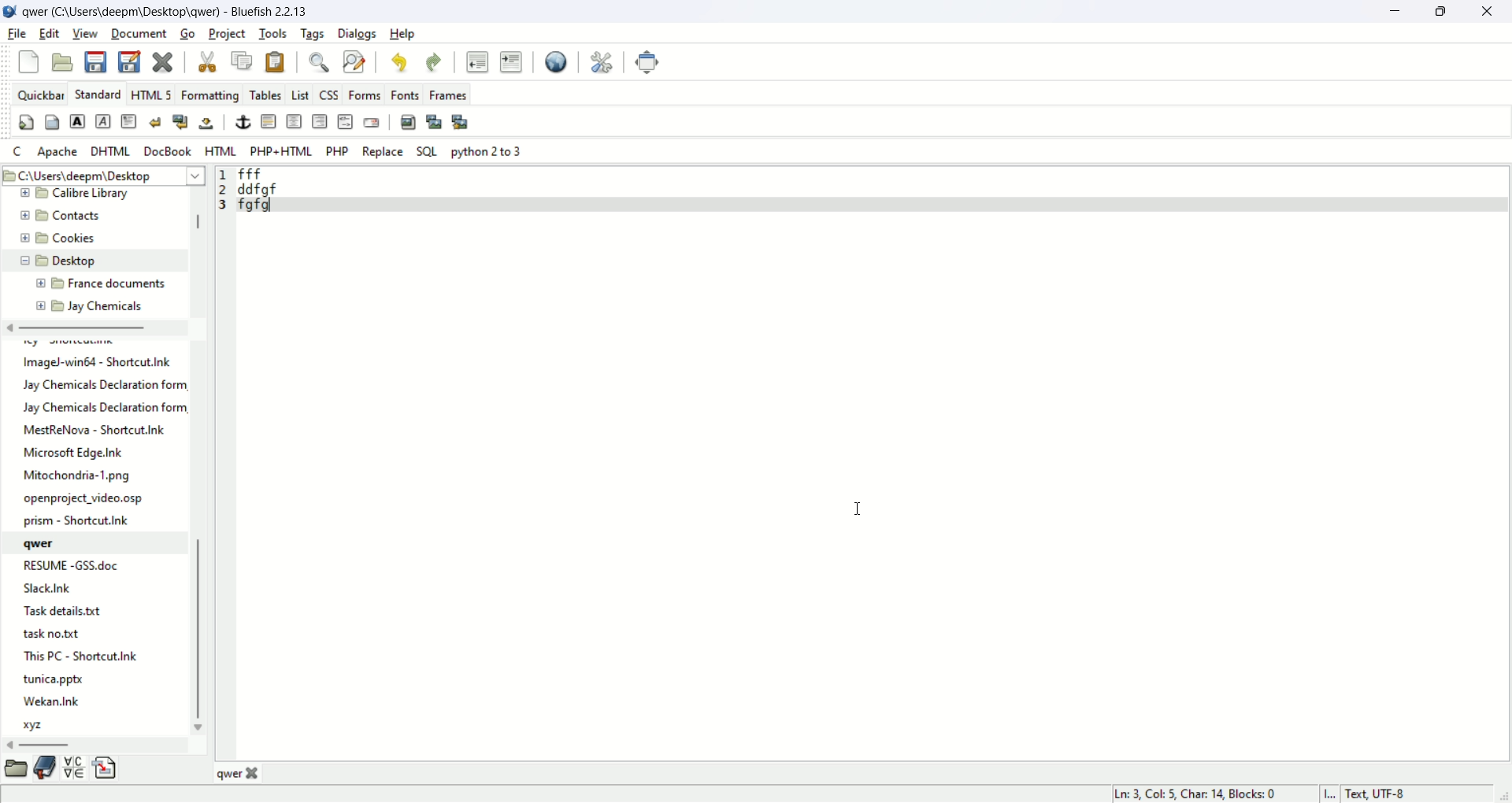 Image resolution: width=1512 pixels, height=803 pixels. Describe the element at coordinates (49, 546) in the screenshot. I see `qwer` at that location.